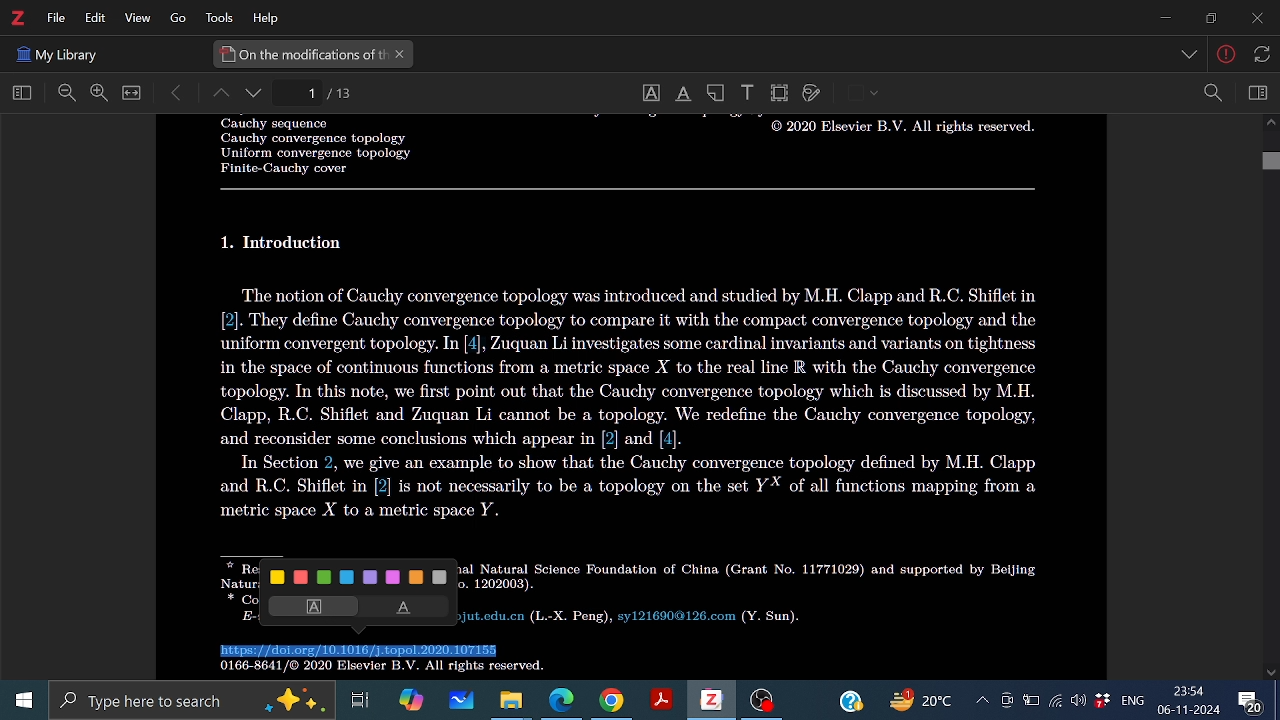  What do you see at coordinates (1031, 701) in the screenshot?
I see `Batttery` at bounding box center [1031, 701].